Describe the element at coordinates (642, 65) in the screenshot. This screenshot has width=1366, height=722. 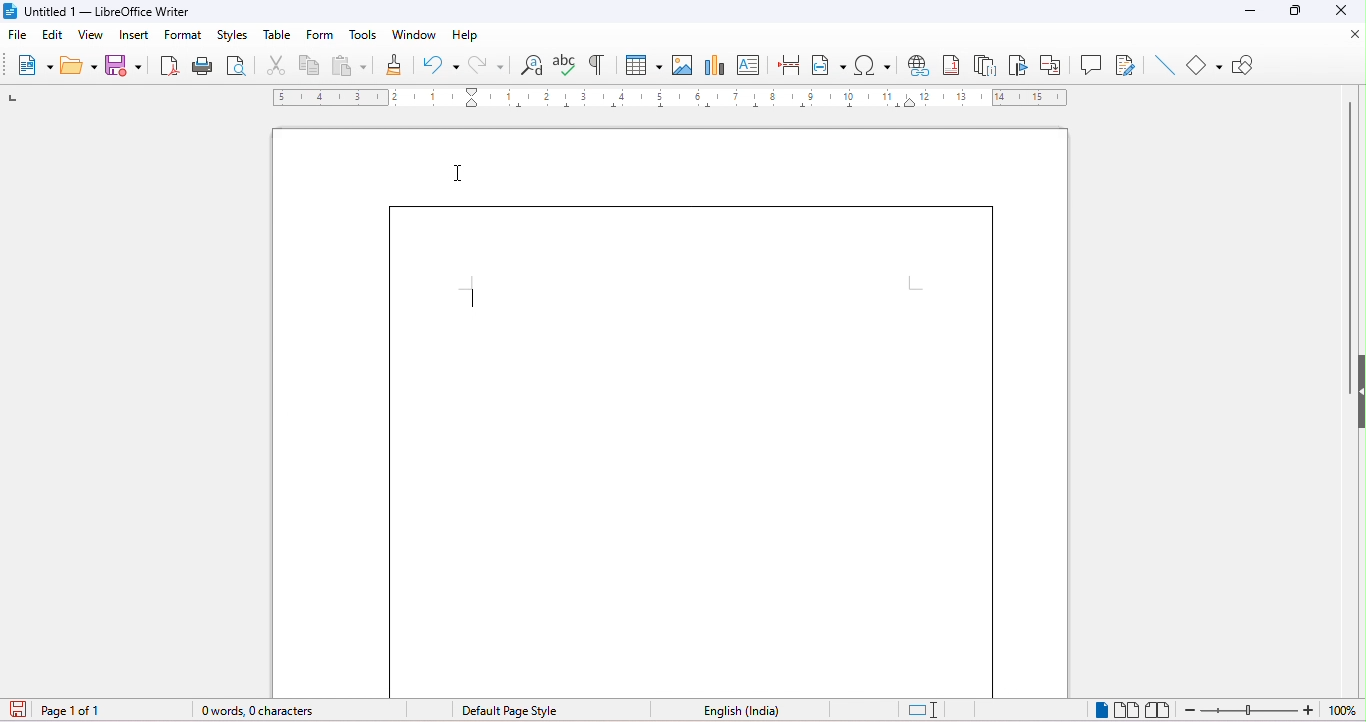
I see `insert table` at that location.